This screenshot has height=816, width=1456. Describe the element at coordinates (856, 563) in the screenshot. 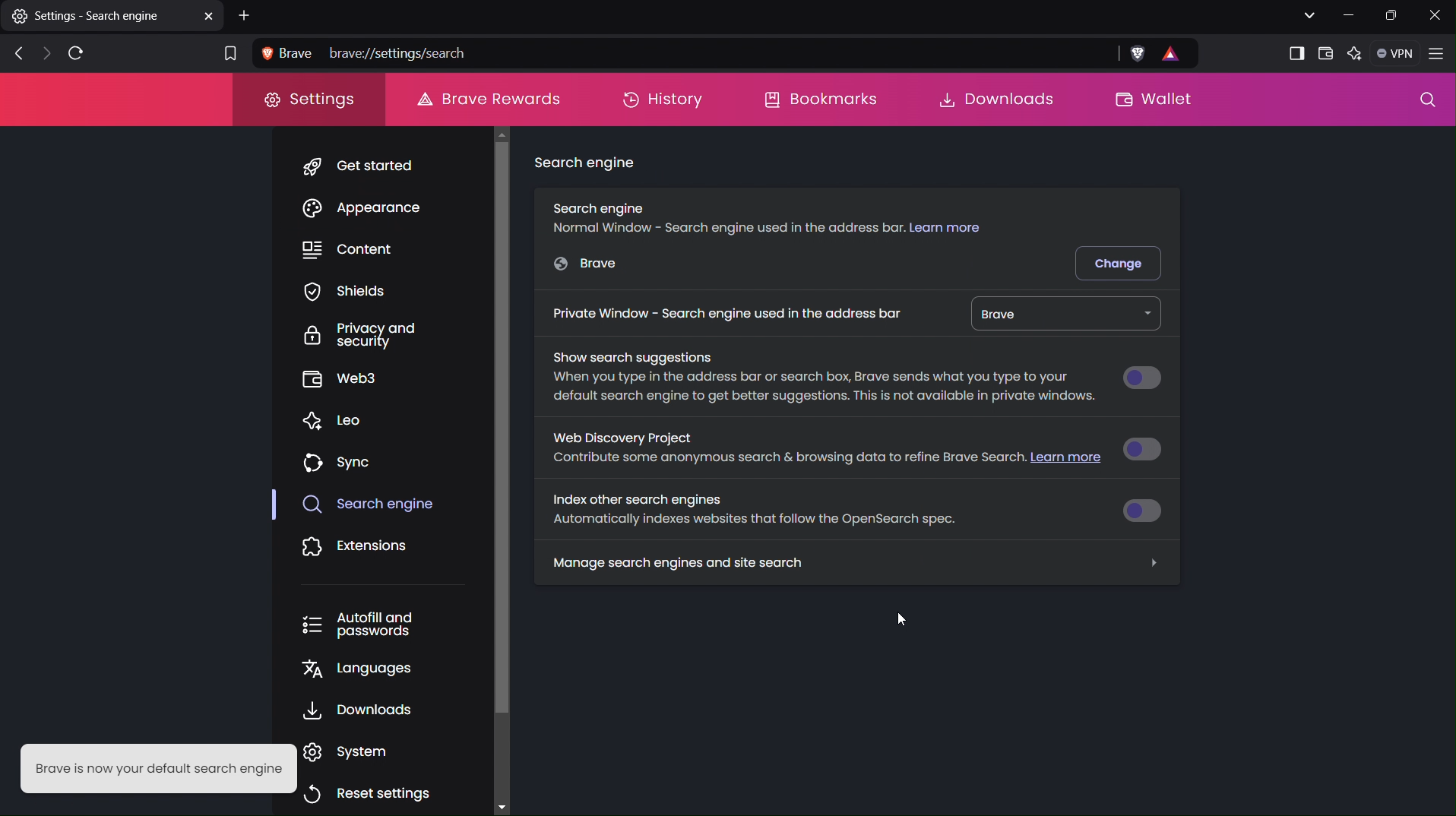

I see `Manage search engines and site search` at that location.